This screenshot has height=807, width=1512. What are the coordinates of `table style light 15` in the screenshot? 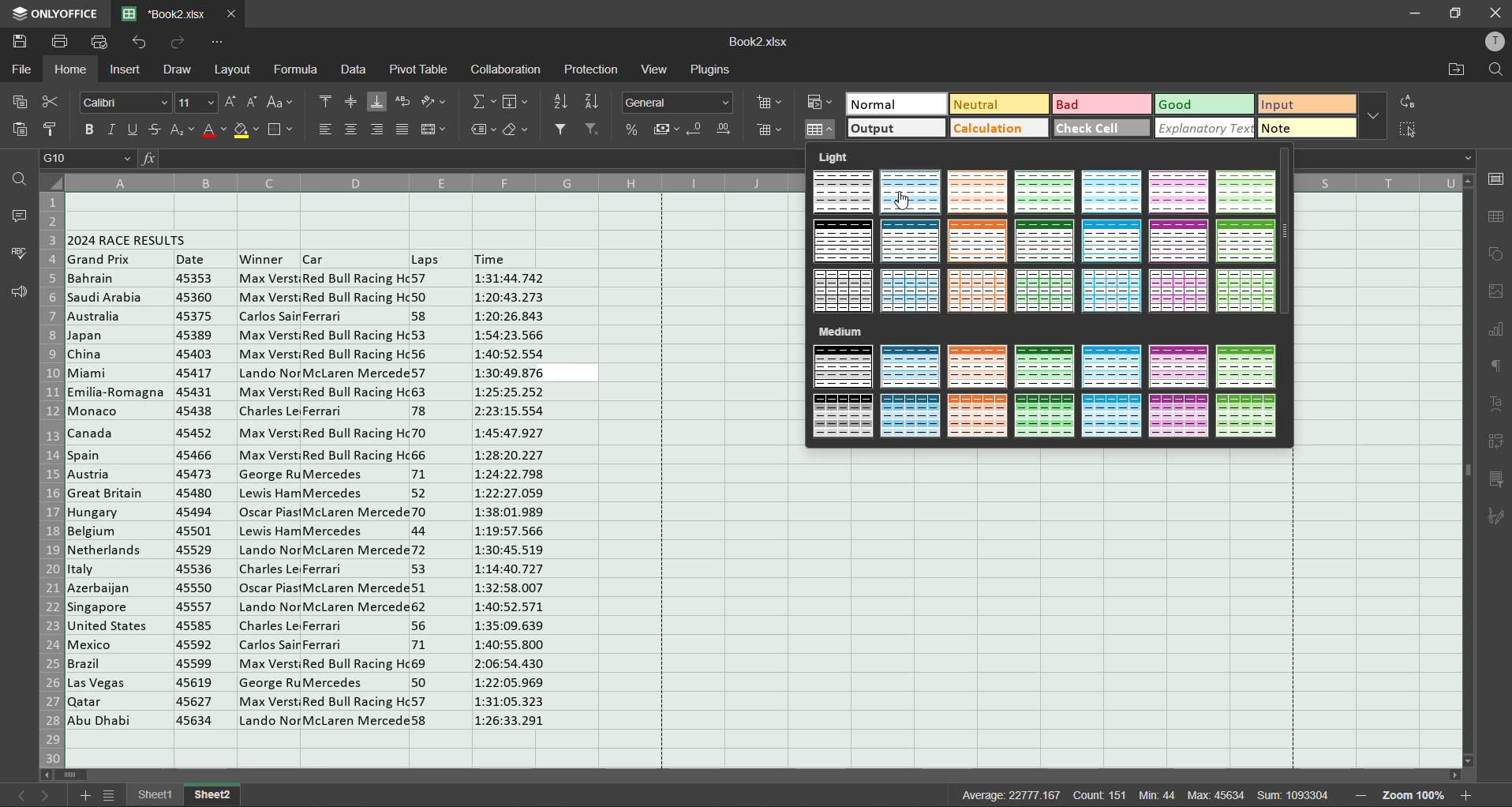 It's located at (844, 293).